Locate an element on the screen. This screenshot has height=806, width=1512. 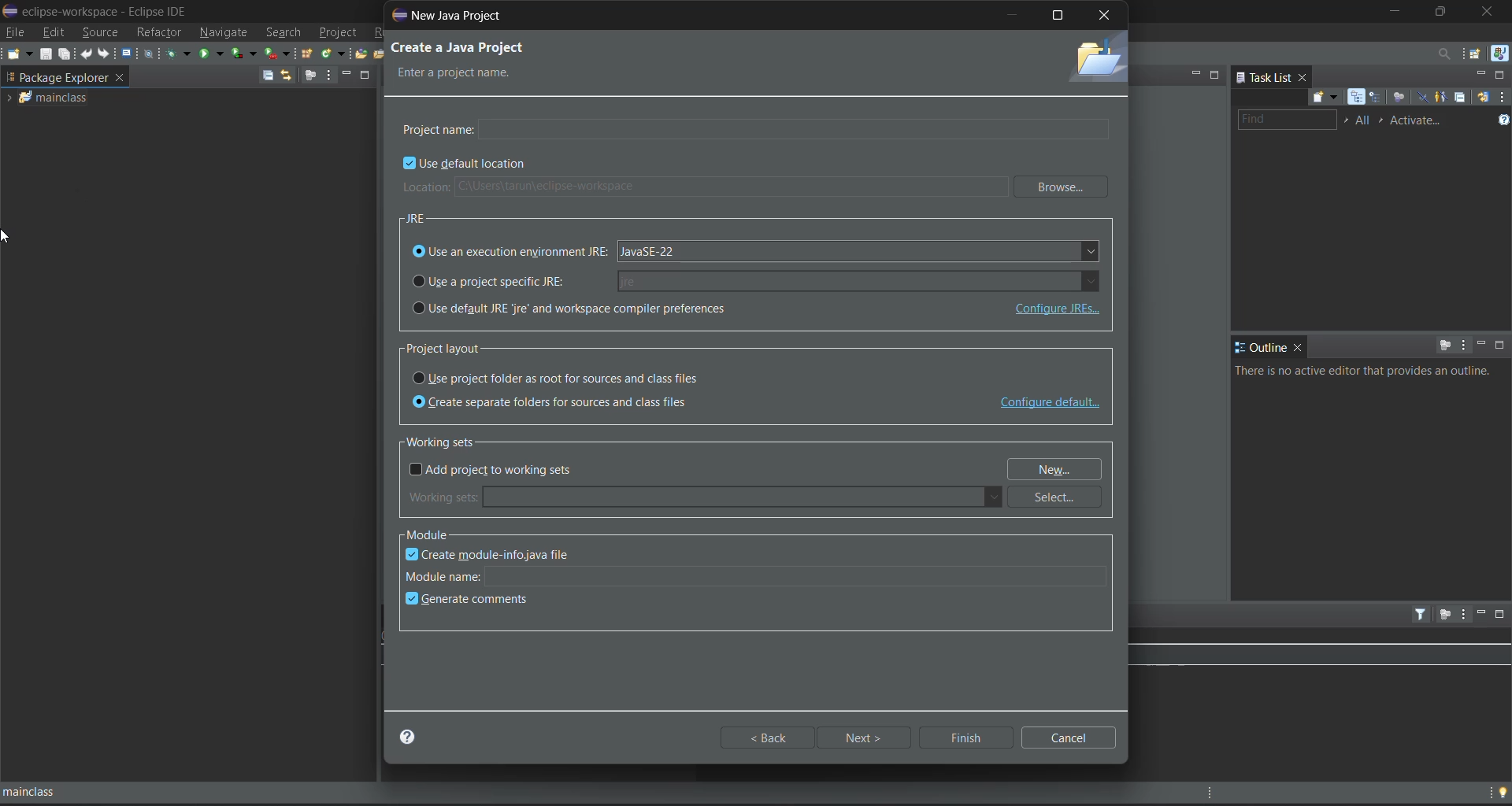
info is located at coordinates (1367, 371).